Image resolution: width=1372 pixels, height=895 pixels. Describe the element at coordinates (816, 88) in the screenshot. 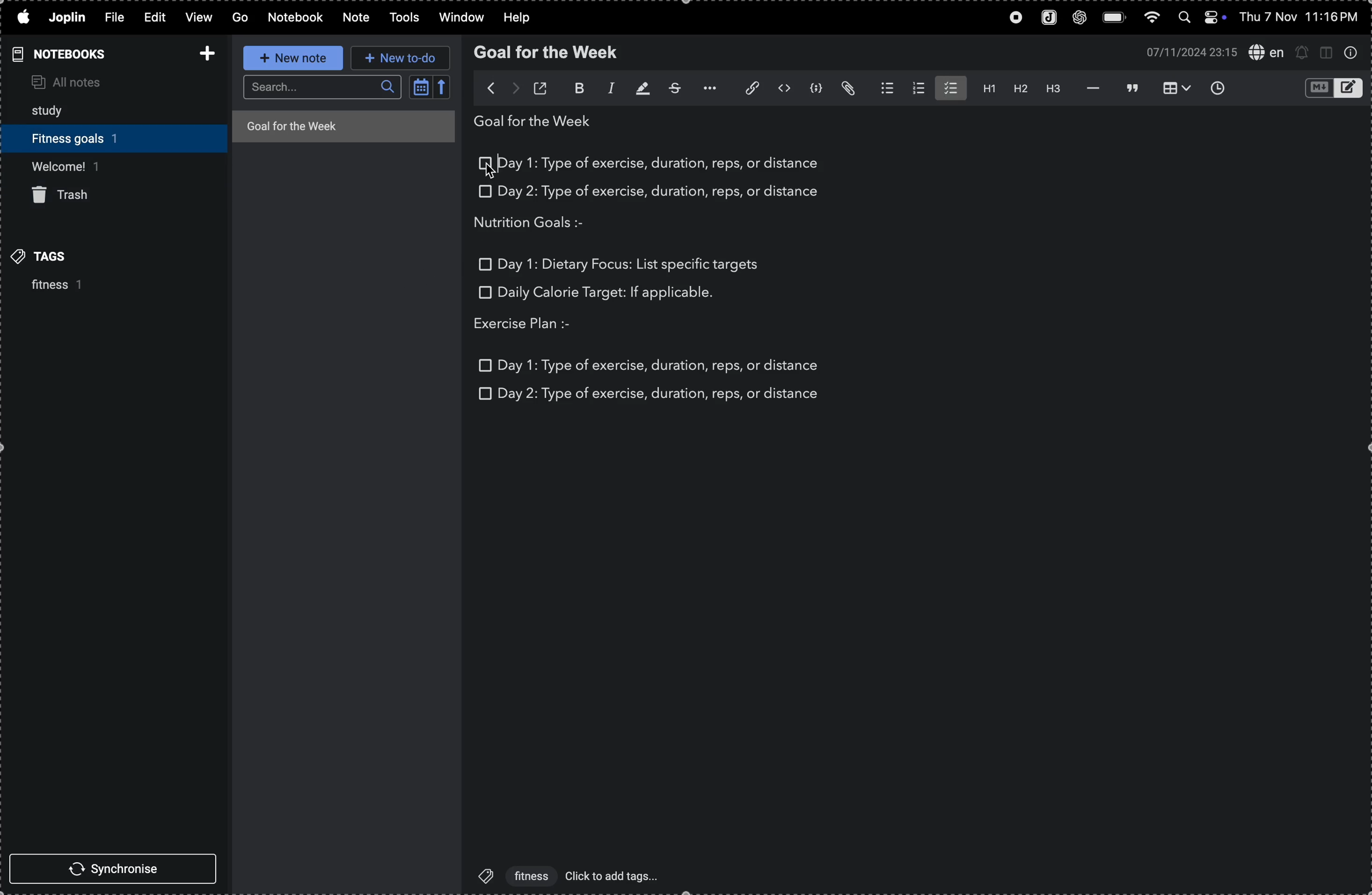

I see `code block` at that location.